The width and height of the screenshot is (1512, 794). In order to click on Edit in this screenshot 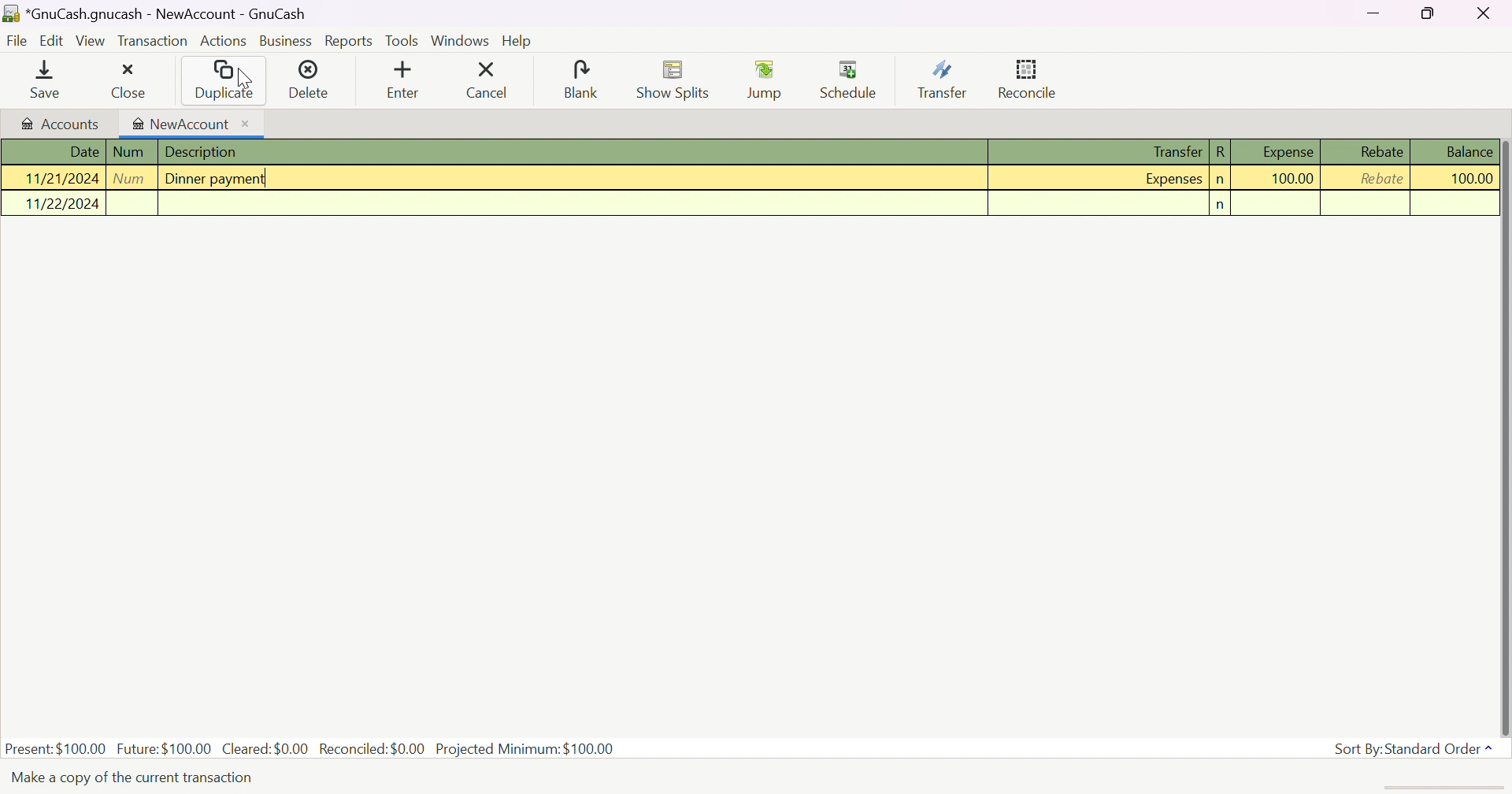, I will do `click(53, 40)`.